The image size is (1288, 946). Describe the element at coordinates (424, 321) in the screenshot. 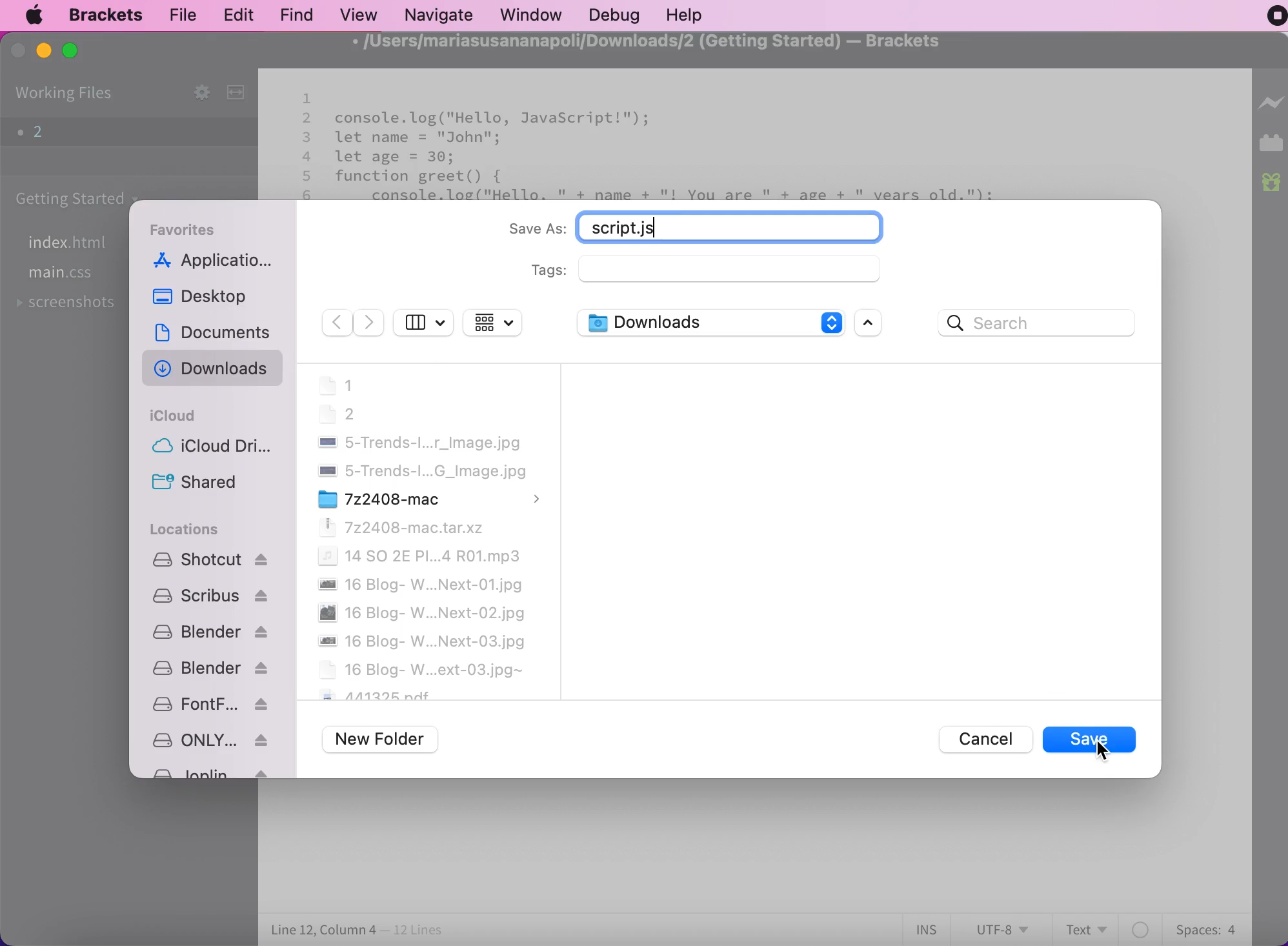

I see `show sidebar` at that location.